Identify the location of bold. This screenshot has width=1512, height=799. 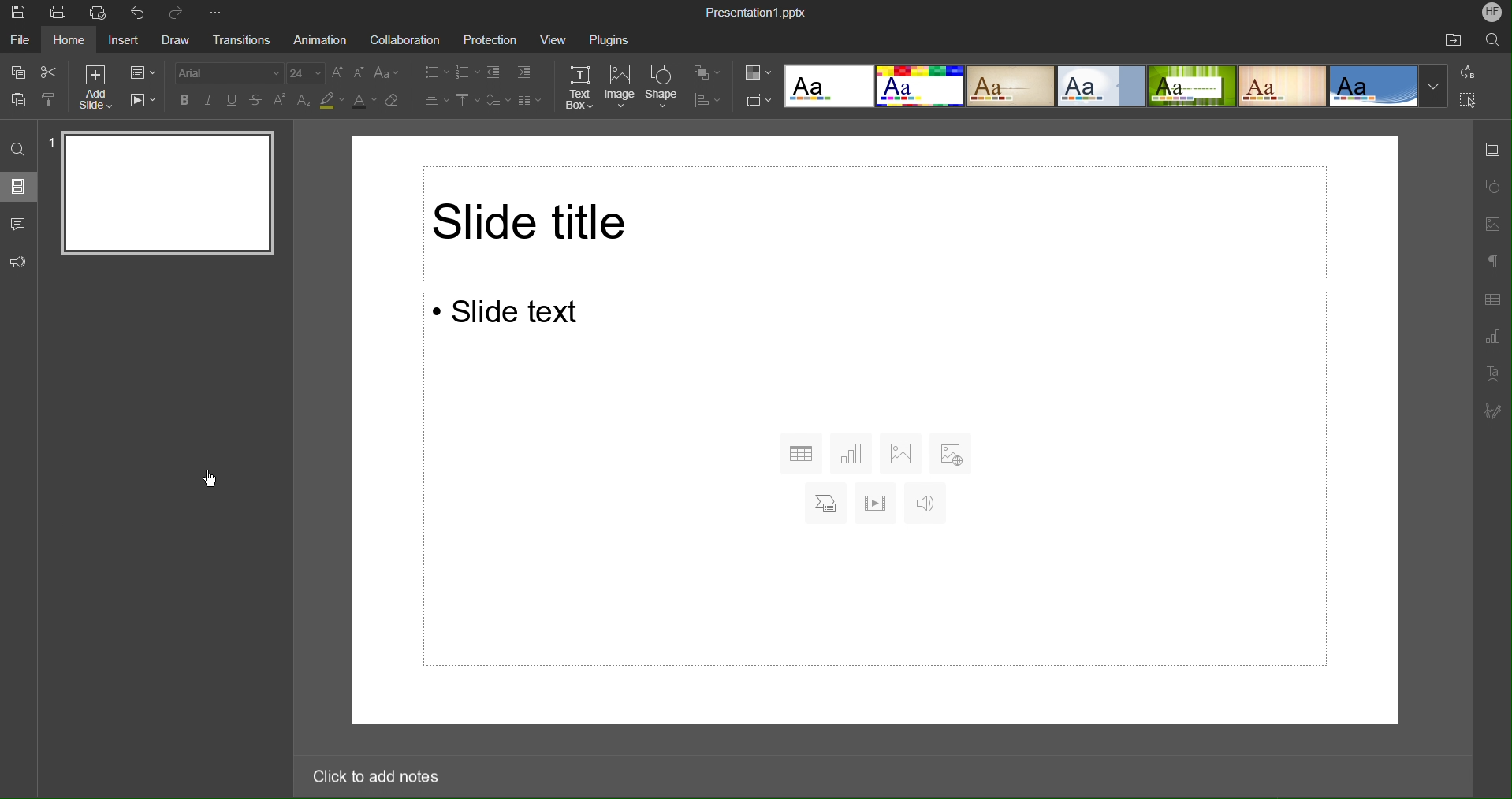
(182, 99).